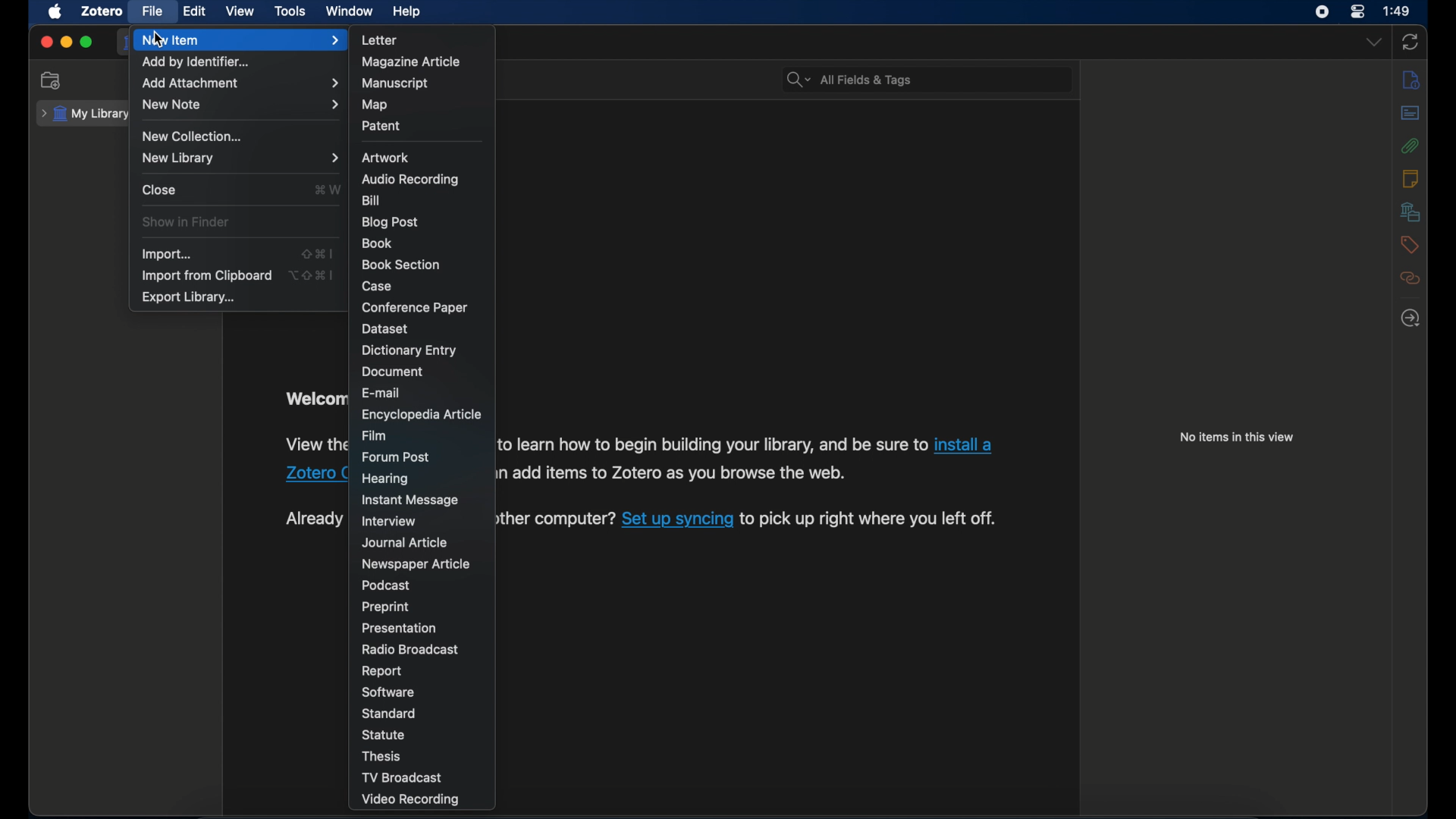  What do you see at coordinates (388, 692) in the screenshot?
I see `software` at bounding box center [388, 692].